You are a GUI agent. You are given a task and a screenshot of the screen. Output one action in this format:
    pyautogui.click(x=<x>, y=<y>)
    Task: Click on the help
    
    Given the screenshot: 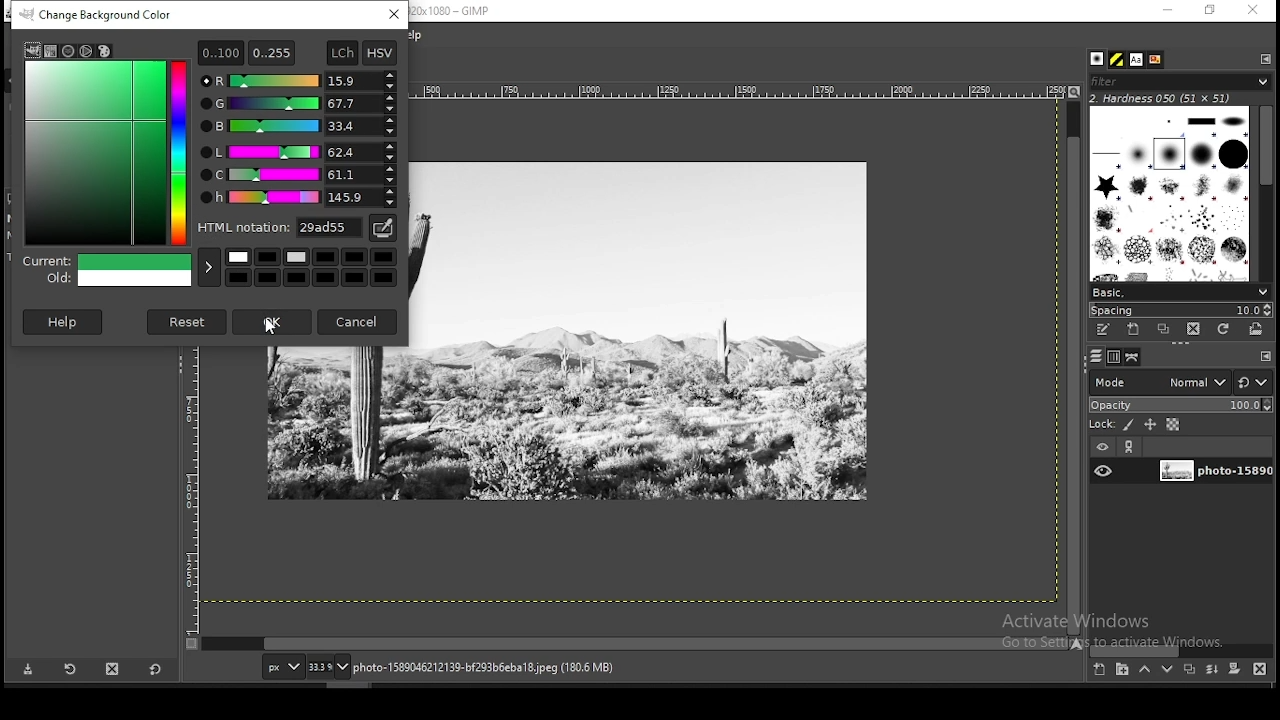 What is the action you would take?
    pyautogui.click(x=65, y=321)
    